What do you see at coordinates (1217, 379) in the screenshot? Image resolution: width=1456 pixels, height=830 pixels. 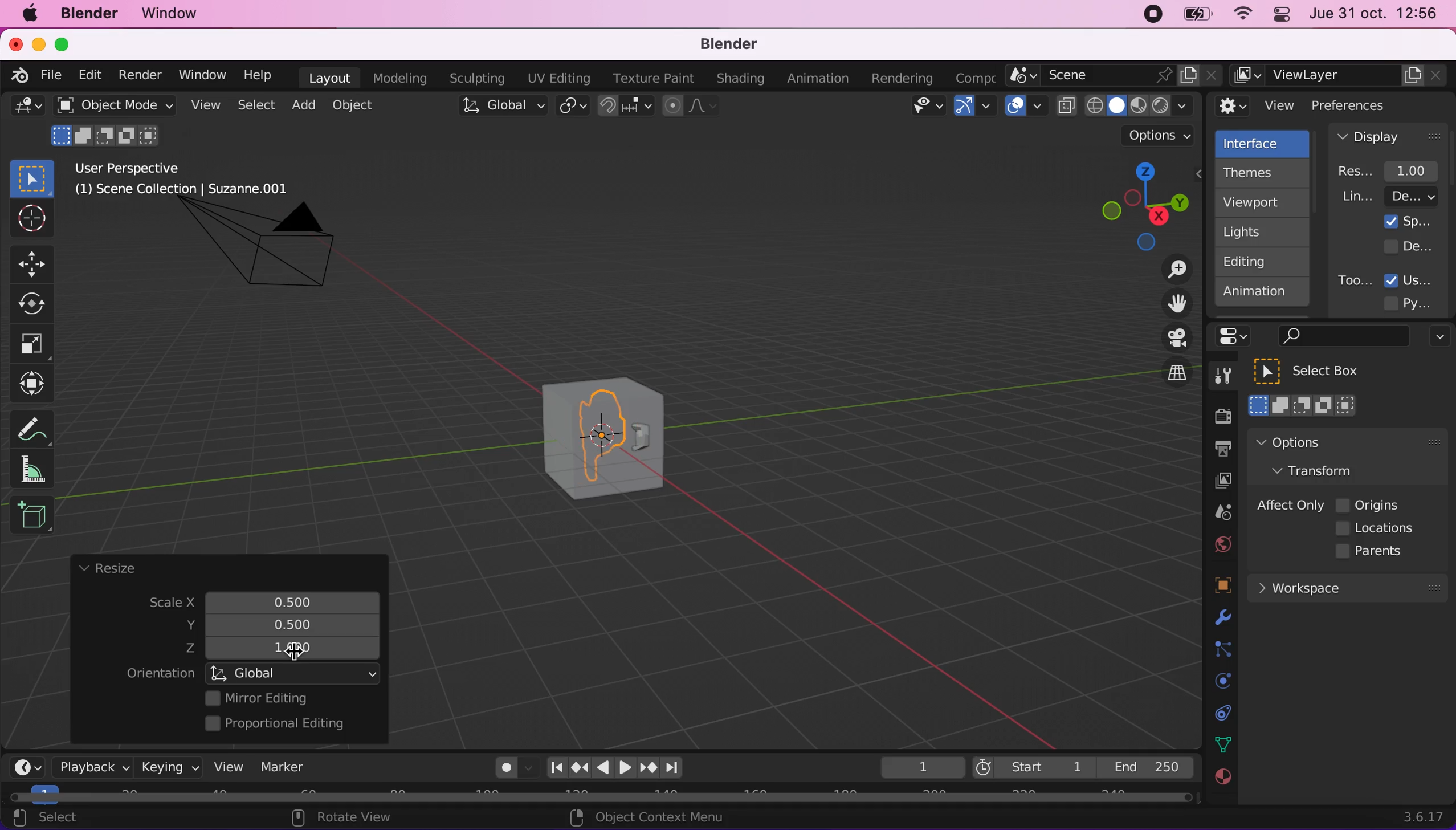 I see `tools` at bounding box center [1217, 379].